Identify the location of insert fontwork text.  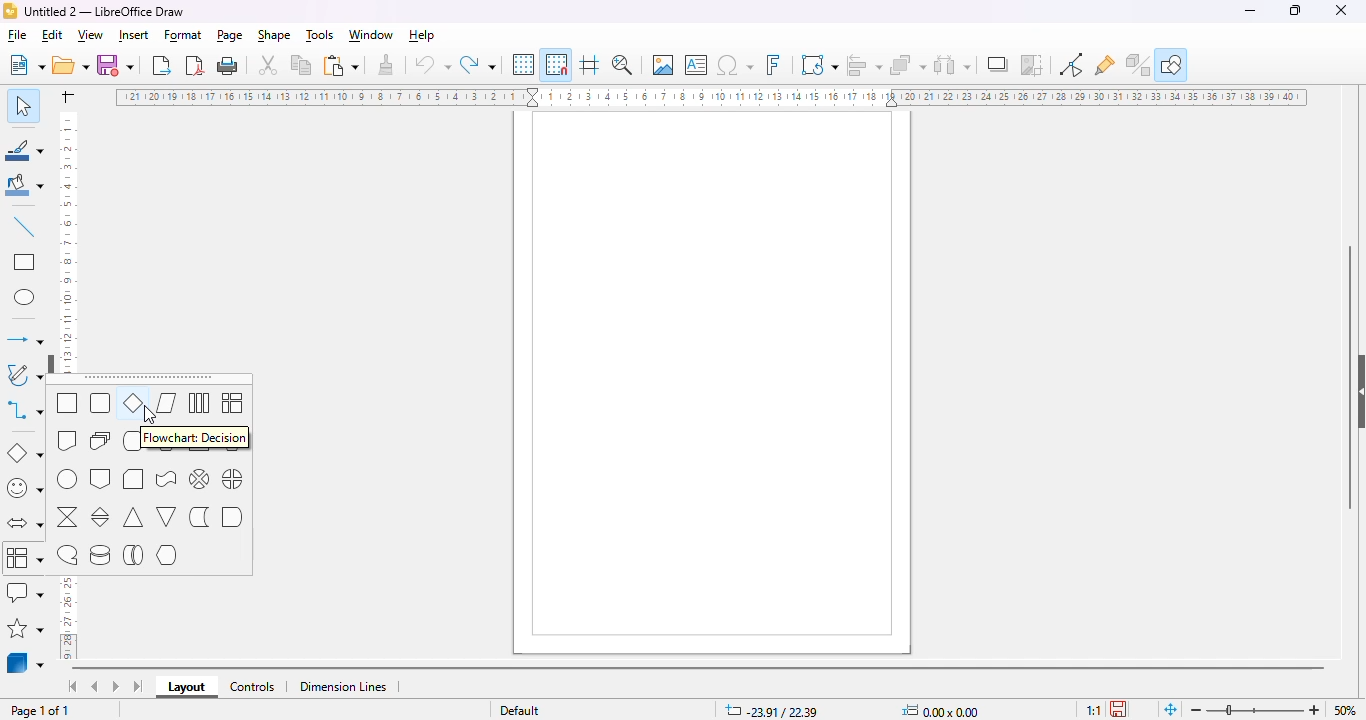
(774, 63).